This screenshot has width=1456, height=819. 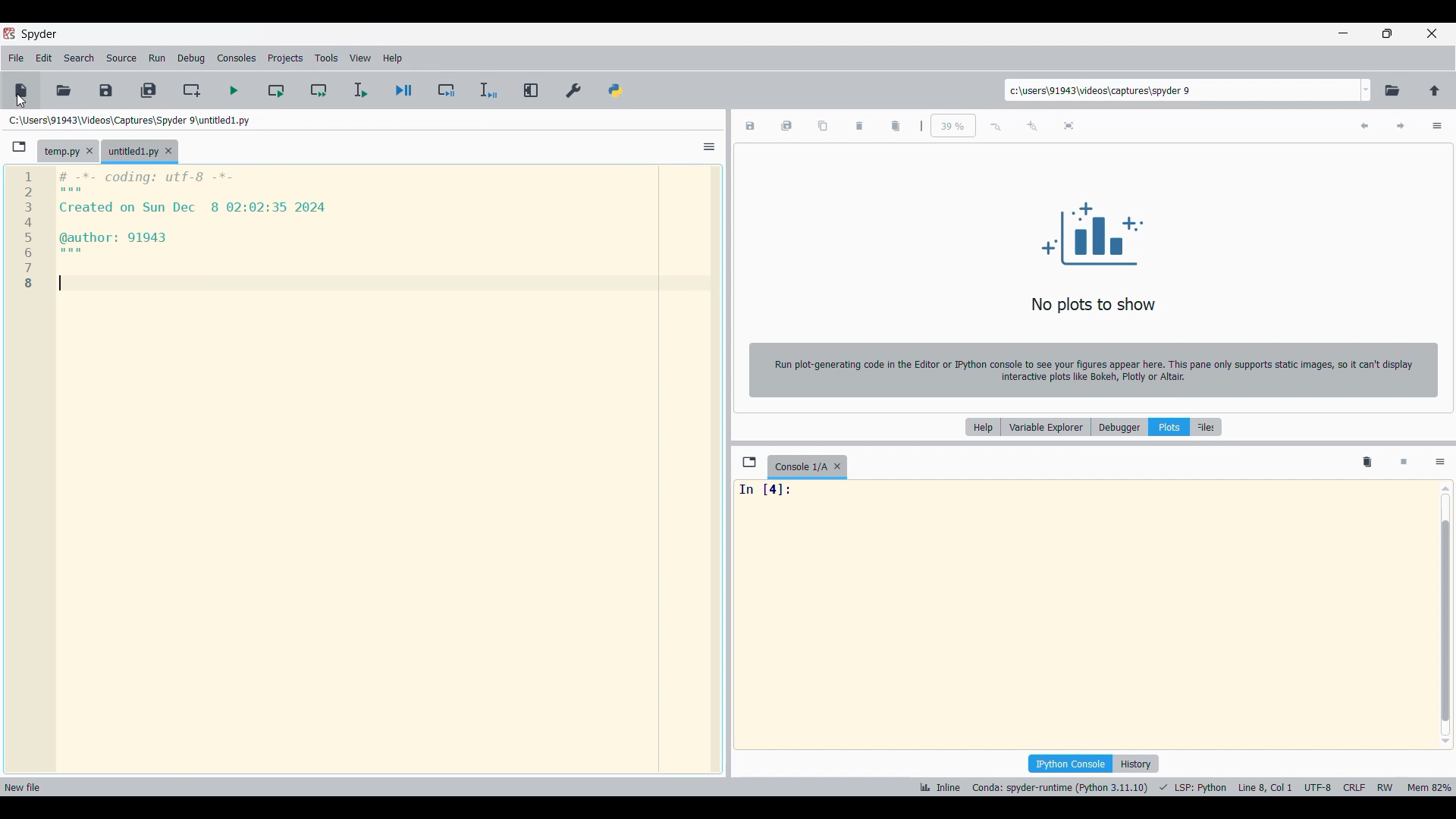 What do you see at coordinates (896, 126) in the screenshot?
I see `Delete all plots` at bounding box center [896, 126].